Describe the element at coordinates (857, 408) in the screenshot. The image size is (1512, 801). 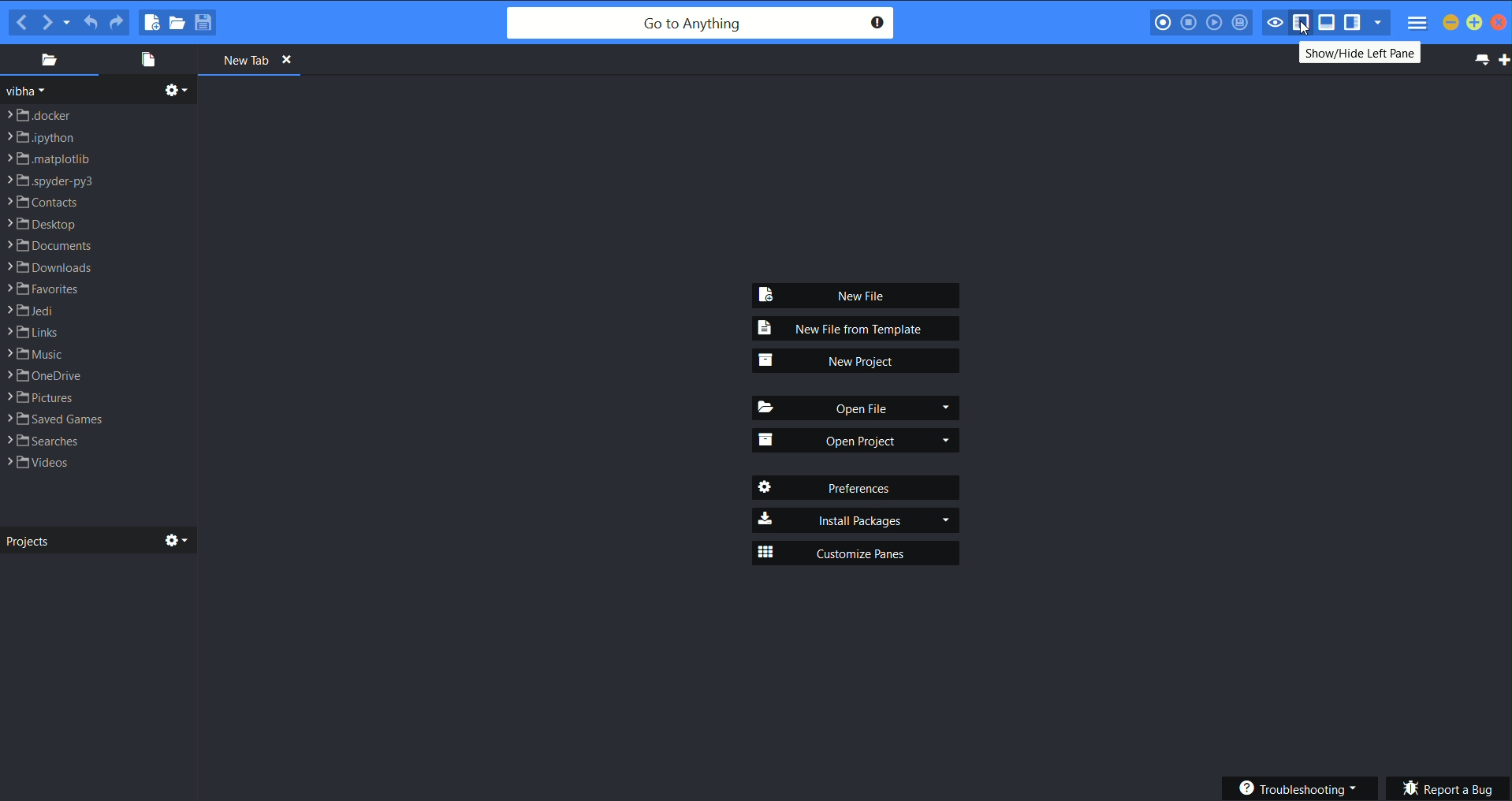
I see `open file` at that location.